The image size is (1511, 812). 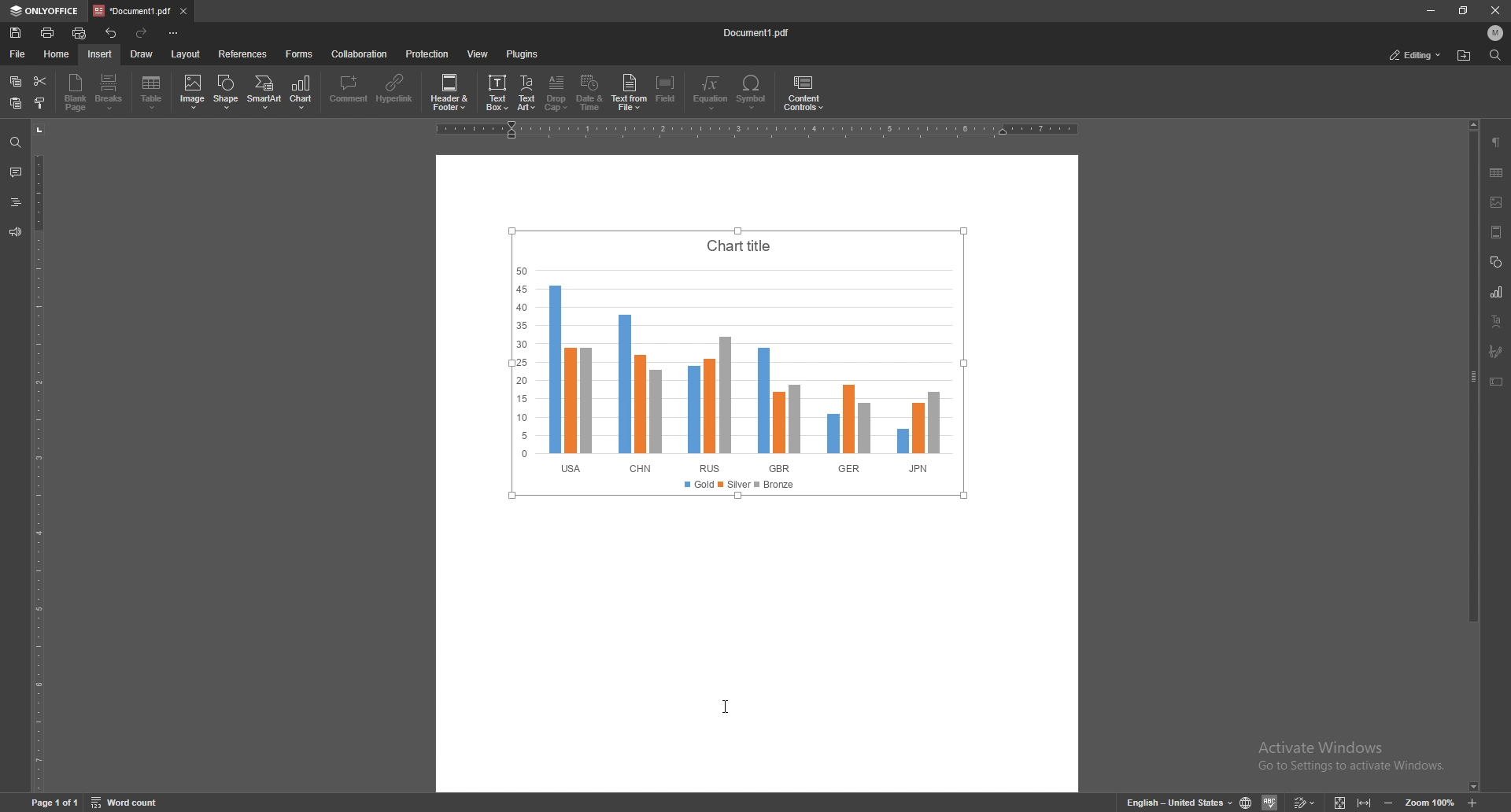 What do you see at coordinates (523, 54) in the screenshot?
I see `plugins` at bounding box center [523, 54].